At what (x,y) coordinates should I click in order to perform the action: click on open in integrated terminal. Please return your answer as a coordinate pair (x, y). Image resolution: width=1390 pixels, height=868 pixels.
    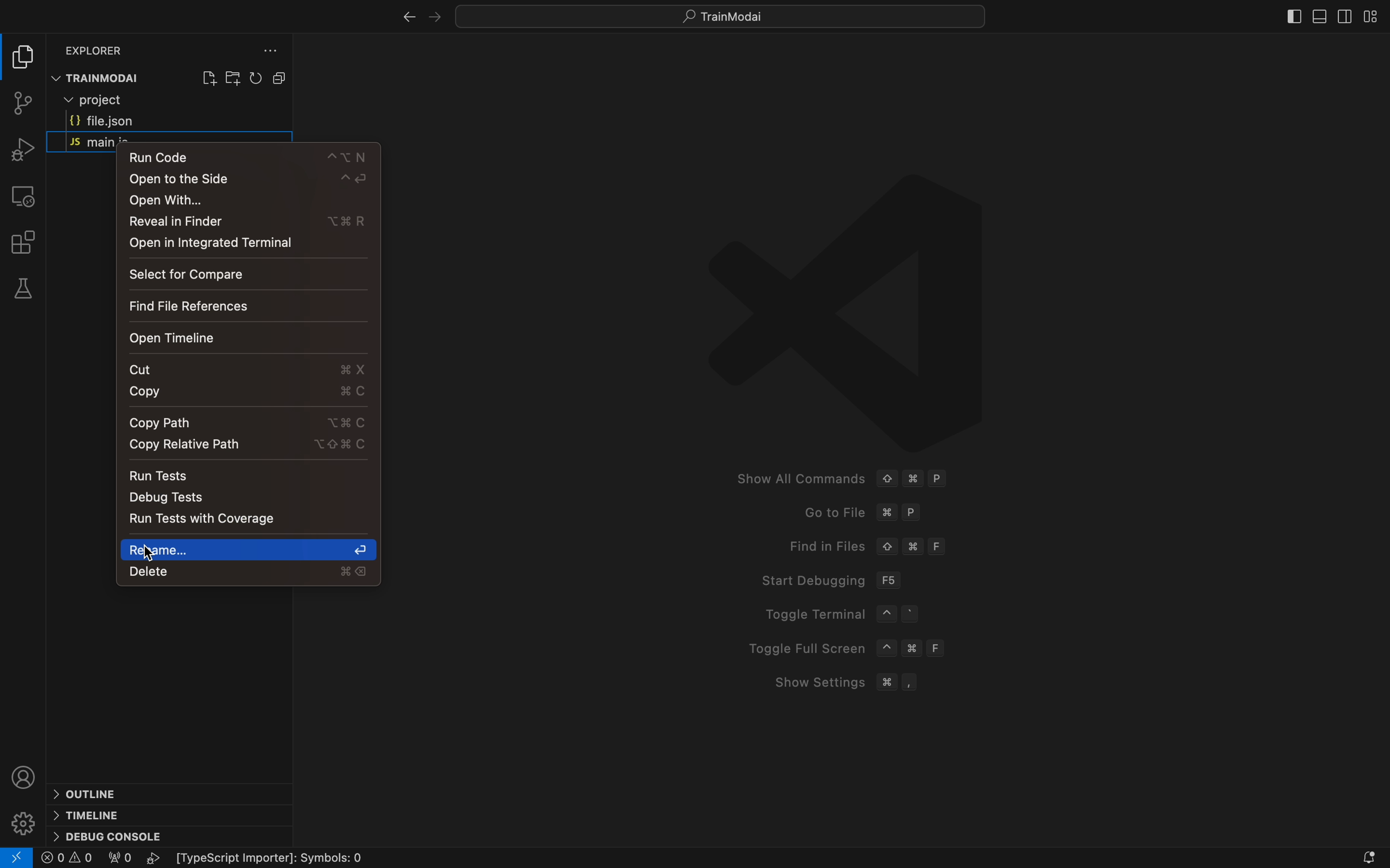
    Looking at the image, I should click on (248, 247).